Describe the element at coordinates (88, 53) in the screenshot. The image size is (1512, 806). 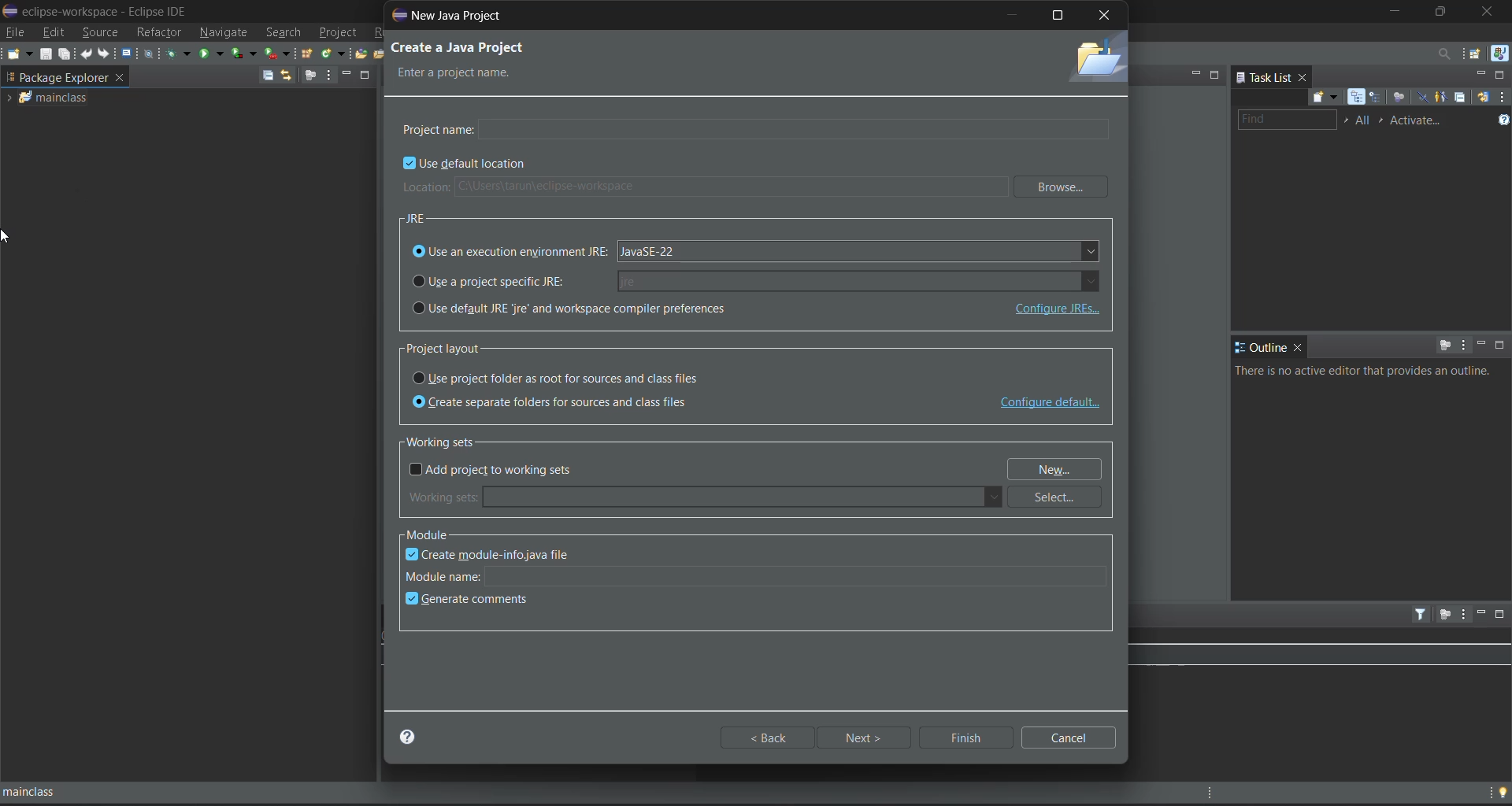
I see `undo` at that location.